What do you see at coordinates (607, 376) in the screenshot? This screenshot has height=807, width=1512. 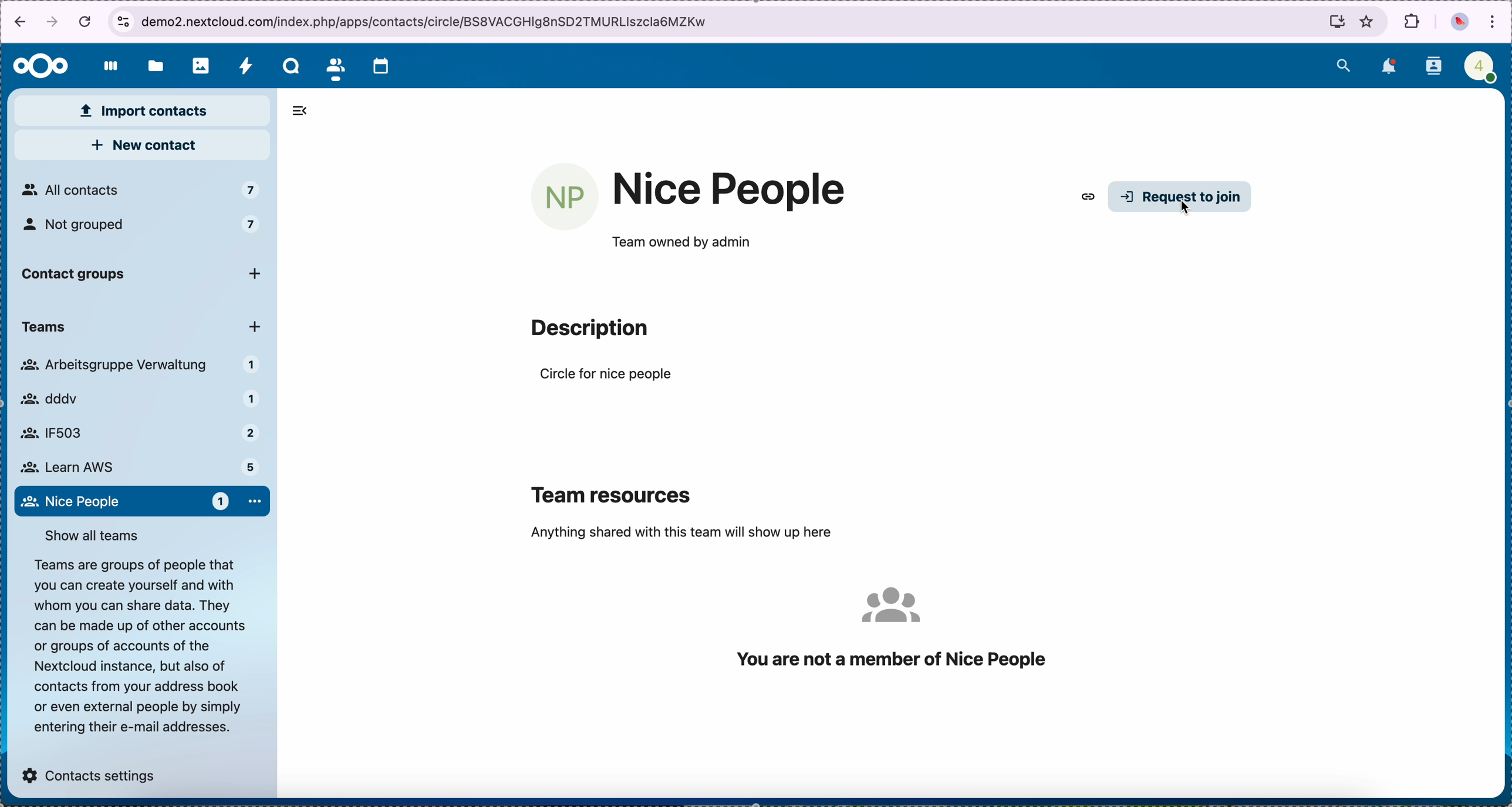 I see `circle for nice people` at bounding box center [607, 376].